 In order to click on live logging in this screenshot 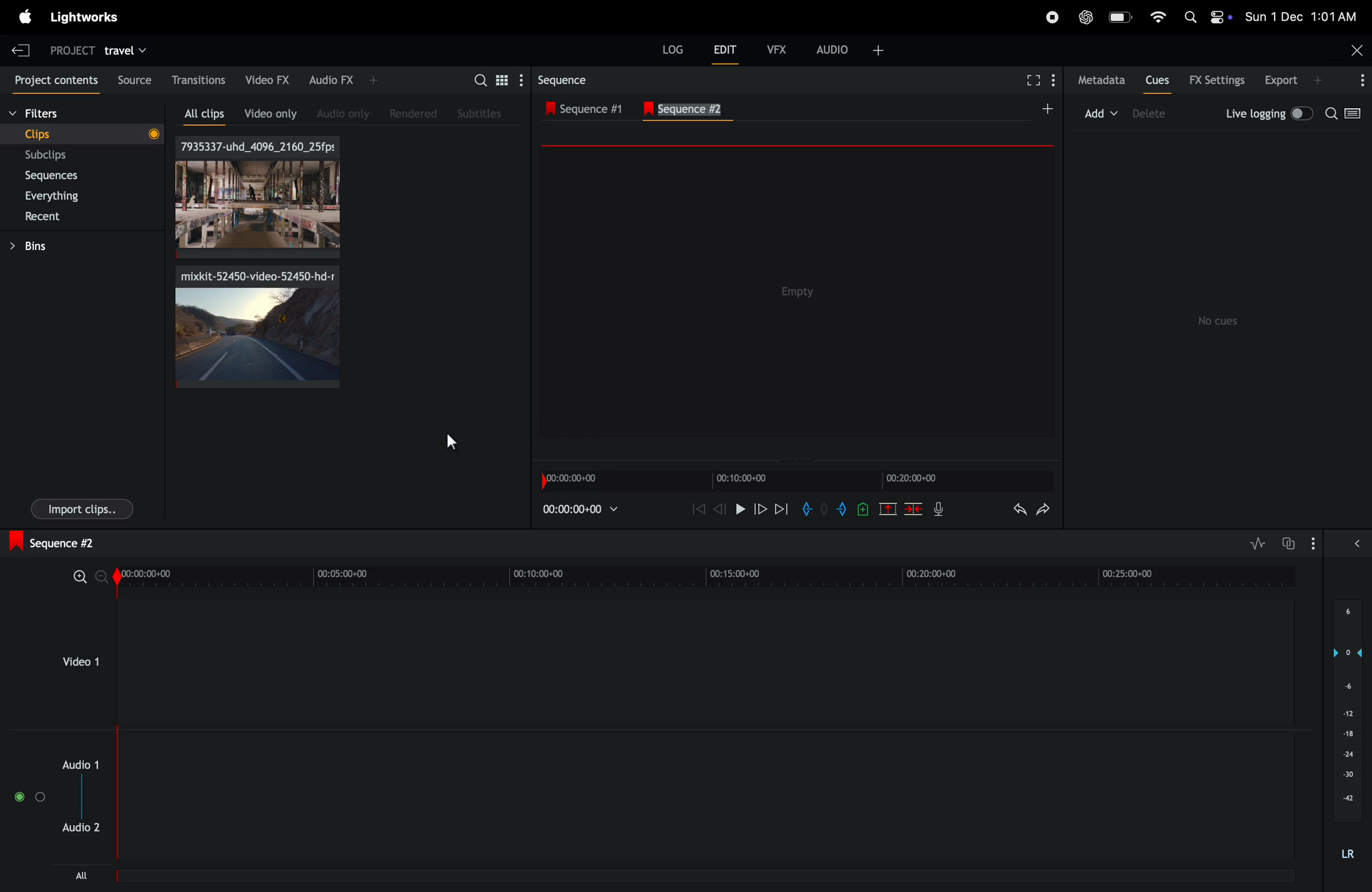, I will do `click(1269, 114)`.